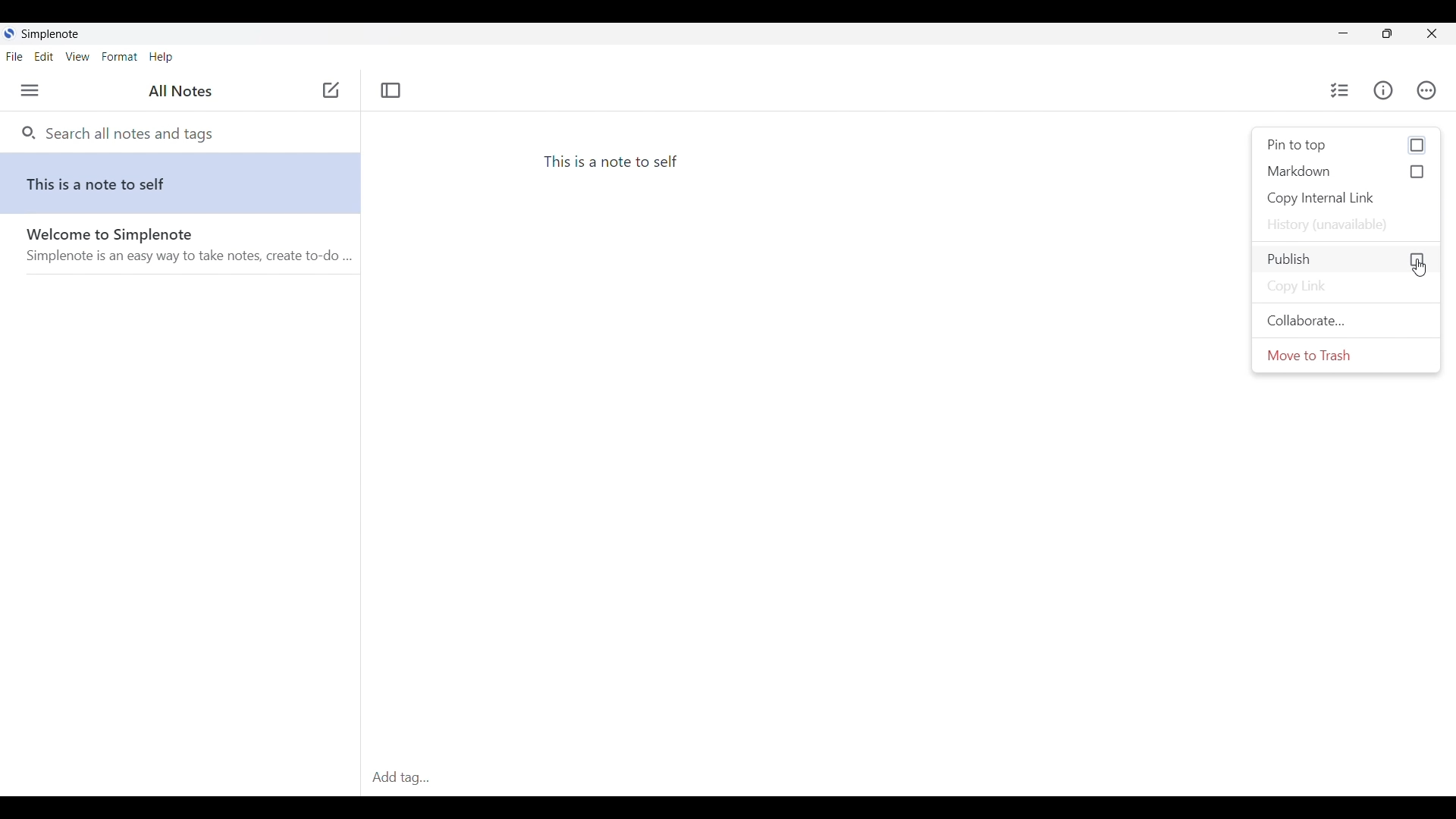 The image size is (1456, 819). What do you see at coordinates (177, 92) in the screenshot?
I see `All Notes` at bounding box center [177, 92].